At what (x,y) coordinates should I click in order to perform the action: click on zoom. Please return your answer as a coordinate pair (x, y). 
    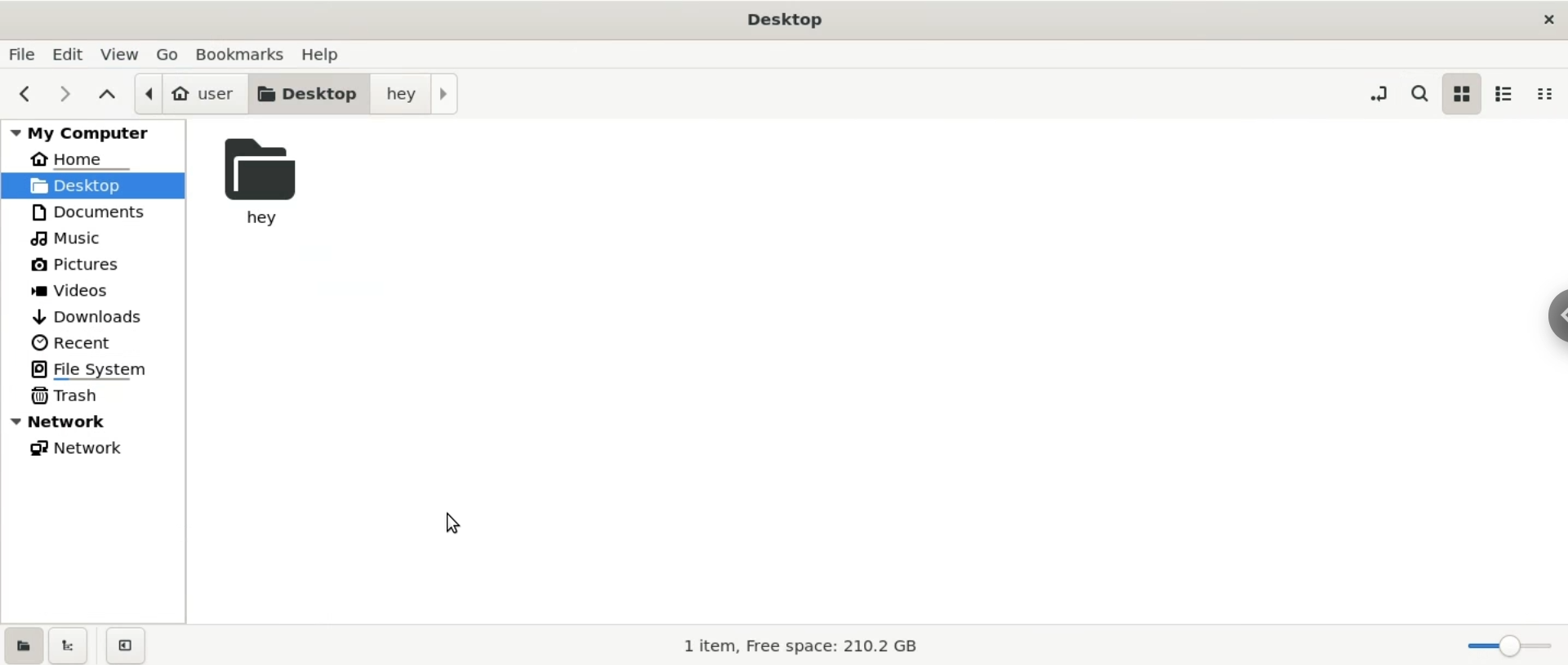
    Looking at the image, I should click on (1512, 646).